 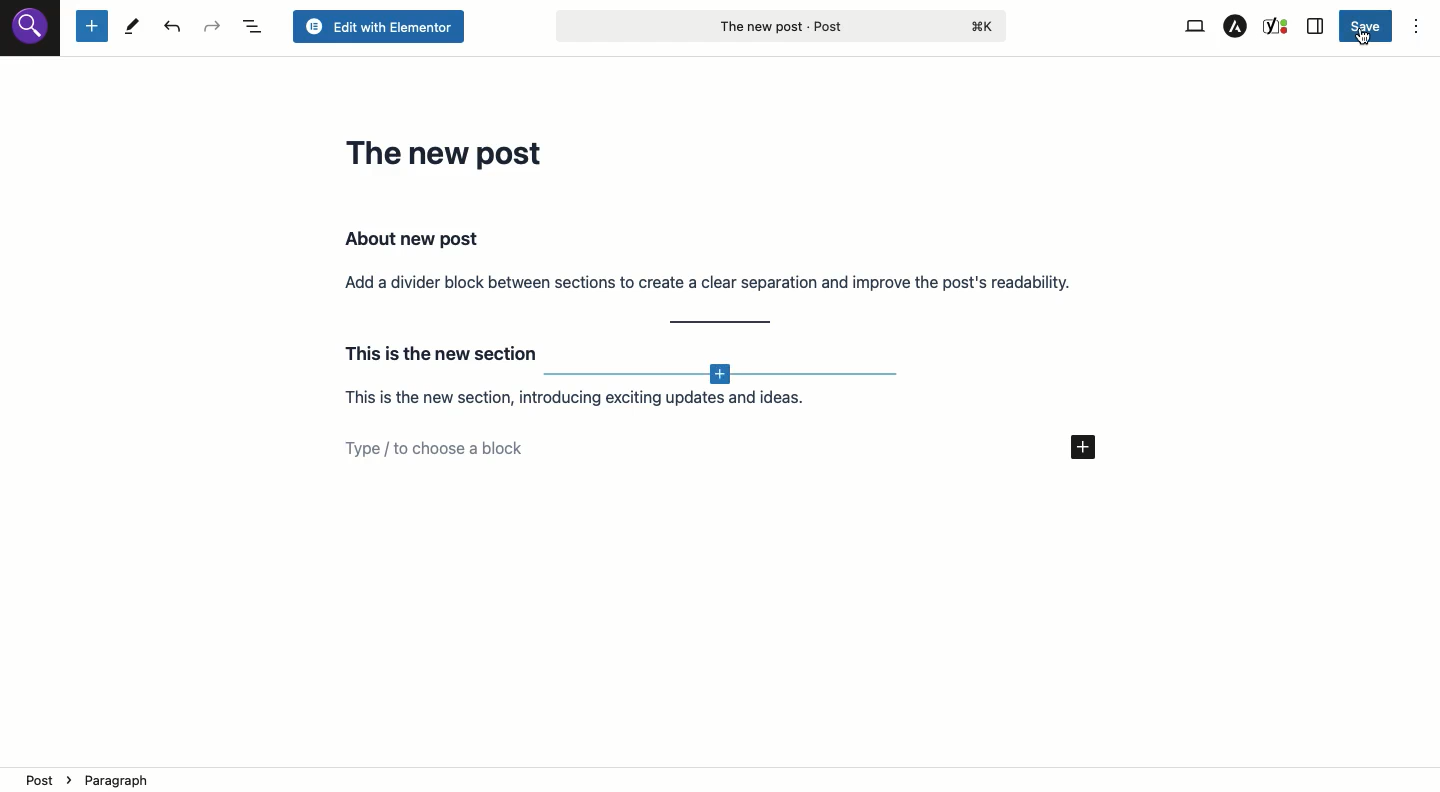 What do you see at coordinates (132, 28) in the screenshot?
I see `Tools` at bounding box center [132, 28].